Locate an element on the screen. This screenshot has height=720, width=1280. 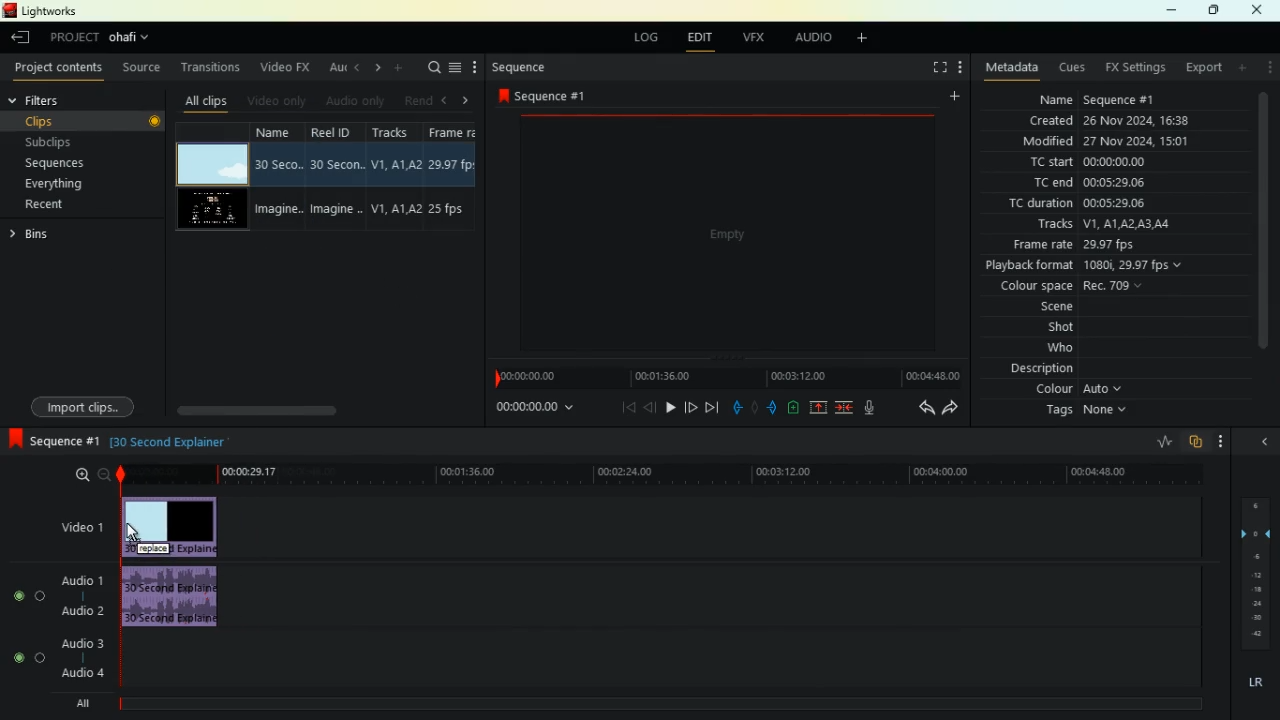
all is located at coordinates (80, 705).